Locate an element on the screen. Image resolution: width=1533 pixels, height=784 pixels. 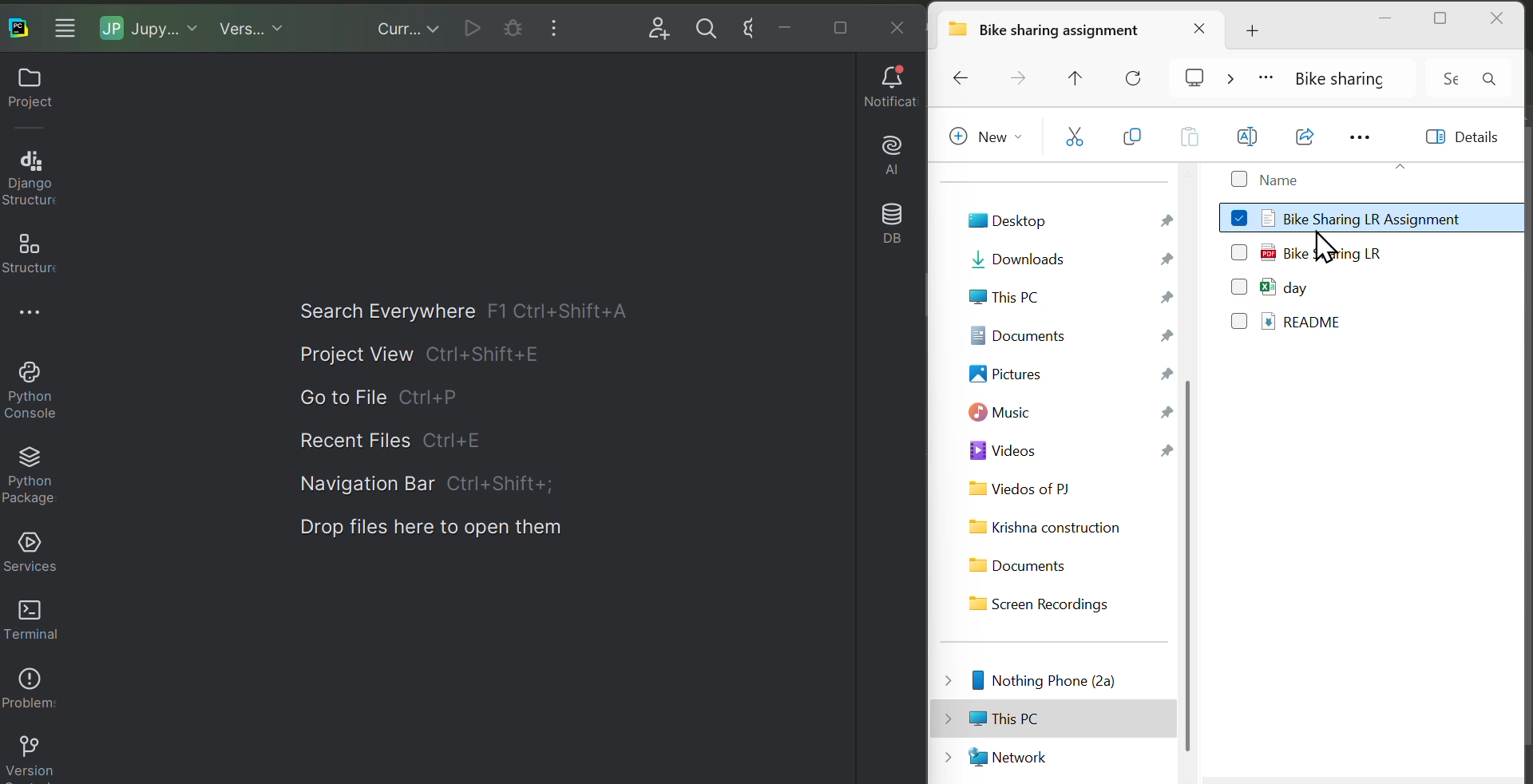
More options is located at coordinates (1373, 137).